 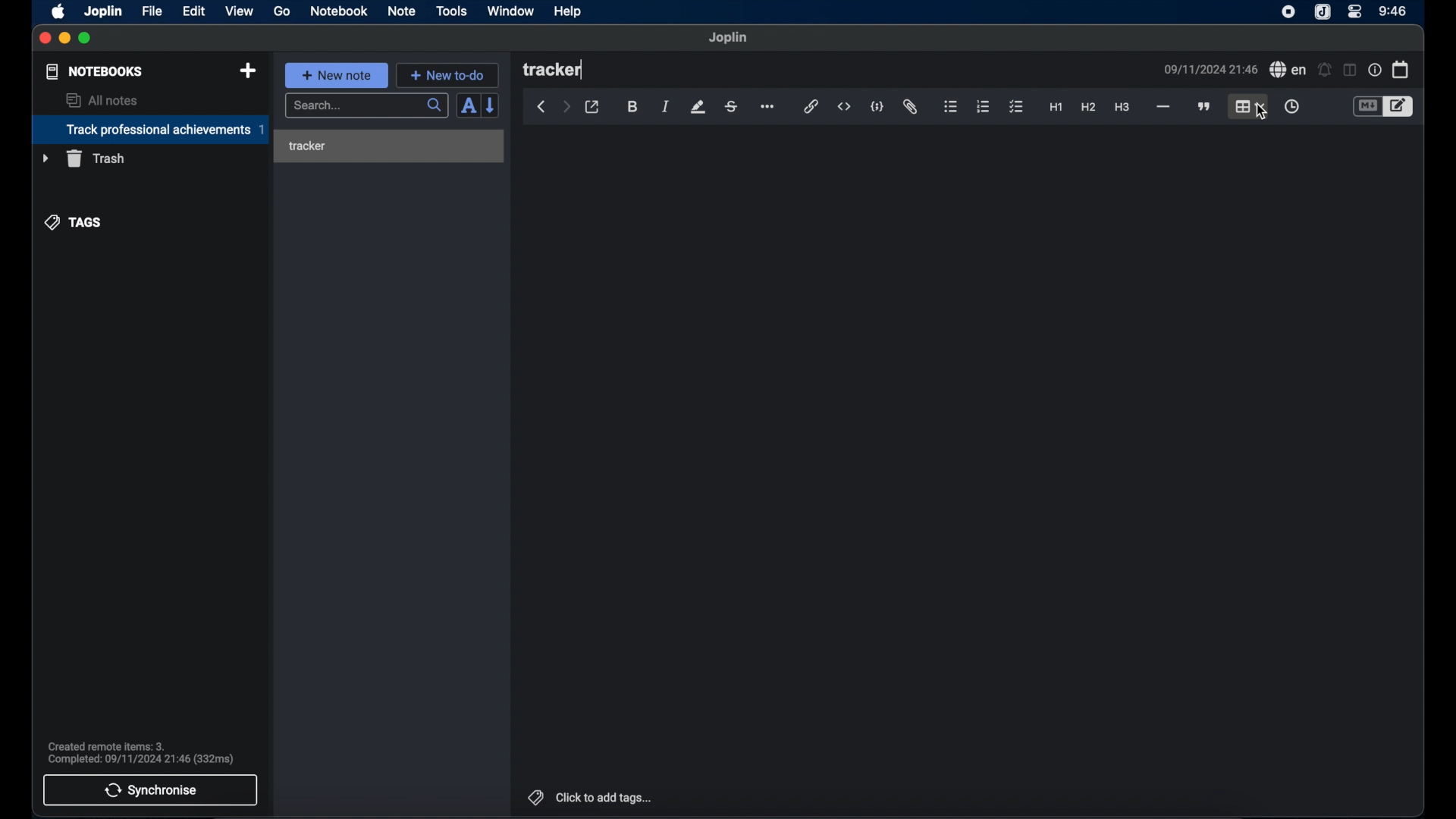 I want to click on help, so click(x=566, y=12).